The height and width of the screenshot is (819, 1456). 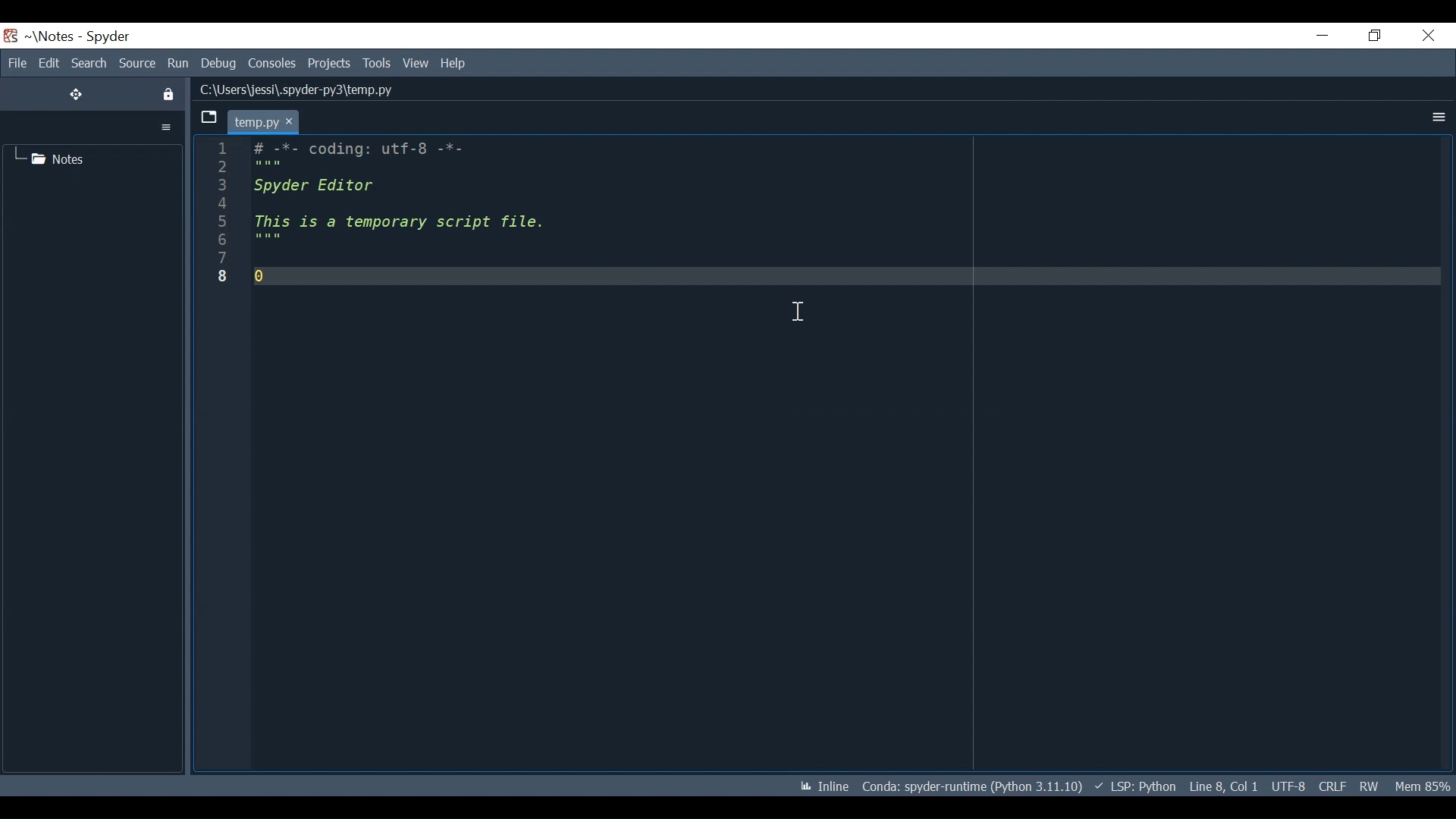 What do you see at coordinates (325, 93) in the screenshot?
I see `C:\Users\jessi\.spyaer-pys\temp.py` at bounding box center [325, 93].